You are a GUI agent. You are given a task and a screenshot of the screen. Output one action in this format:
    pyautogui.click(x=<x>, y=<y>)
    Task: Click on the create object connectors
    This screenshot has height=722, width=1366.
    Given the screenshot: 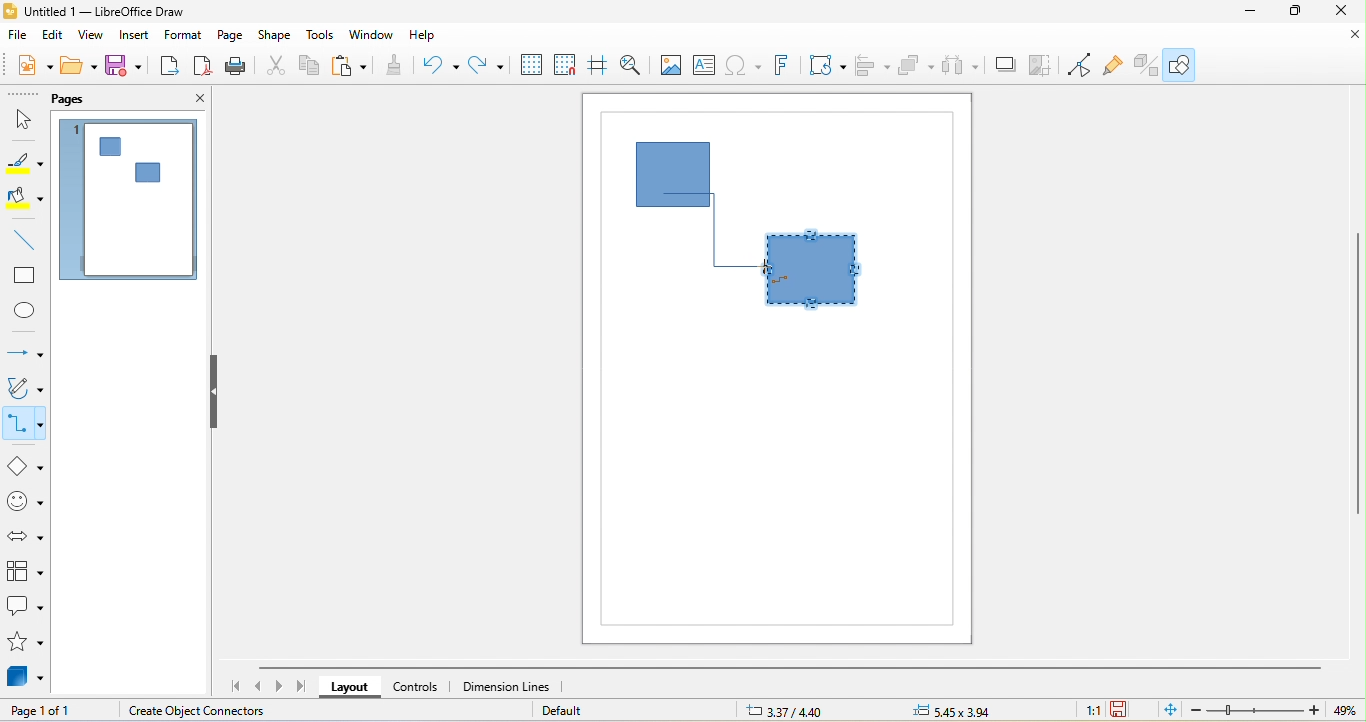 What is the action you would take?
    pyautogui.click(x=231, y=711)
    